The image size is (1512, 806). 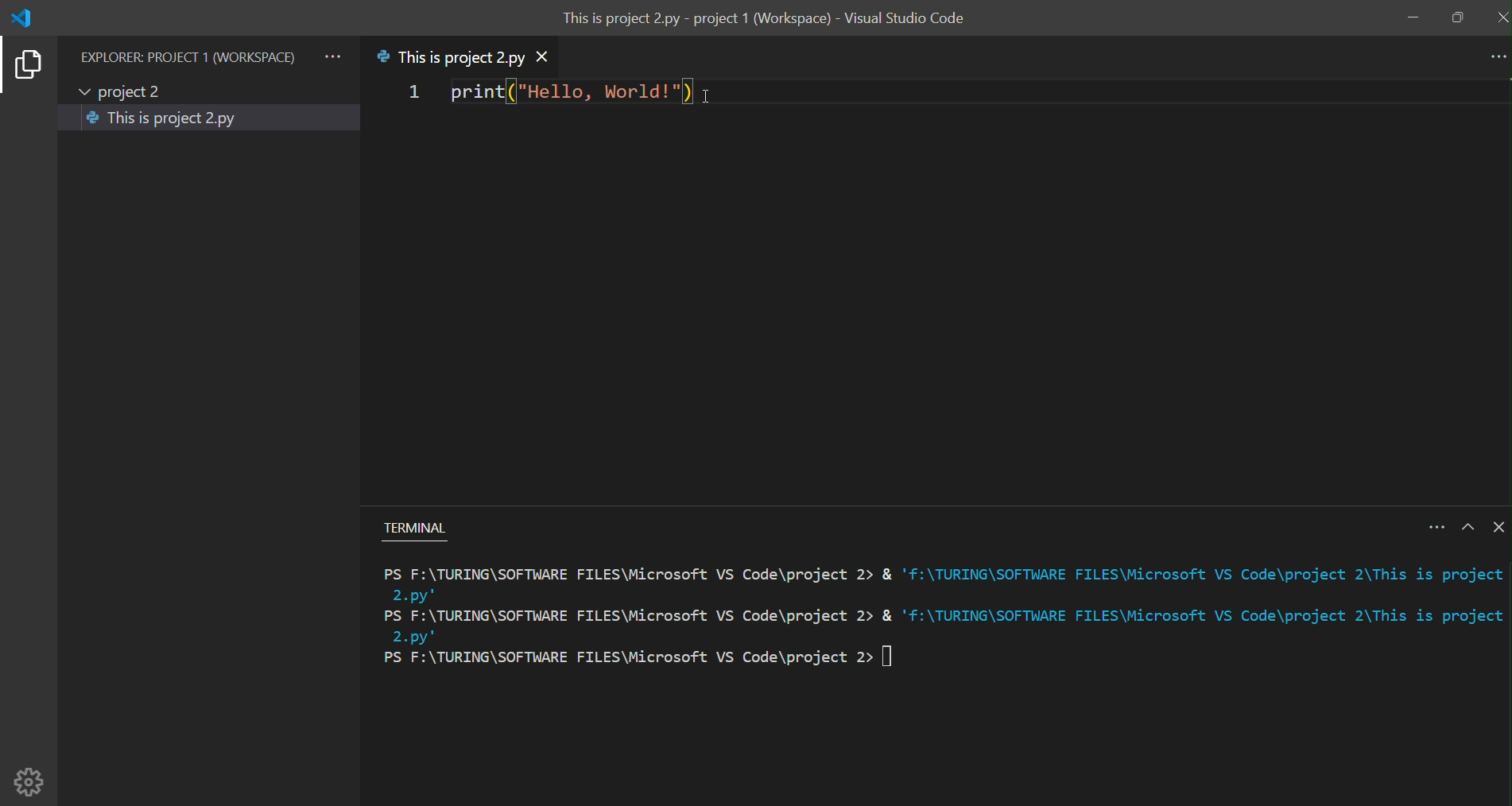 What do you see at coordinates (131, 92) in the screenshot?
I see `current open project` at bounding box center [131, 92].